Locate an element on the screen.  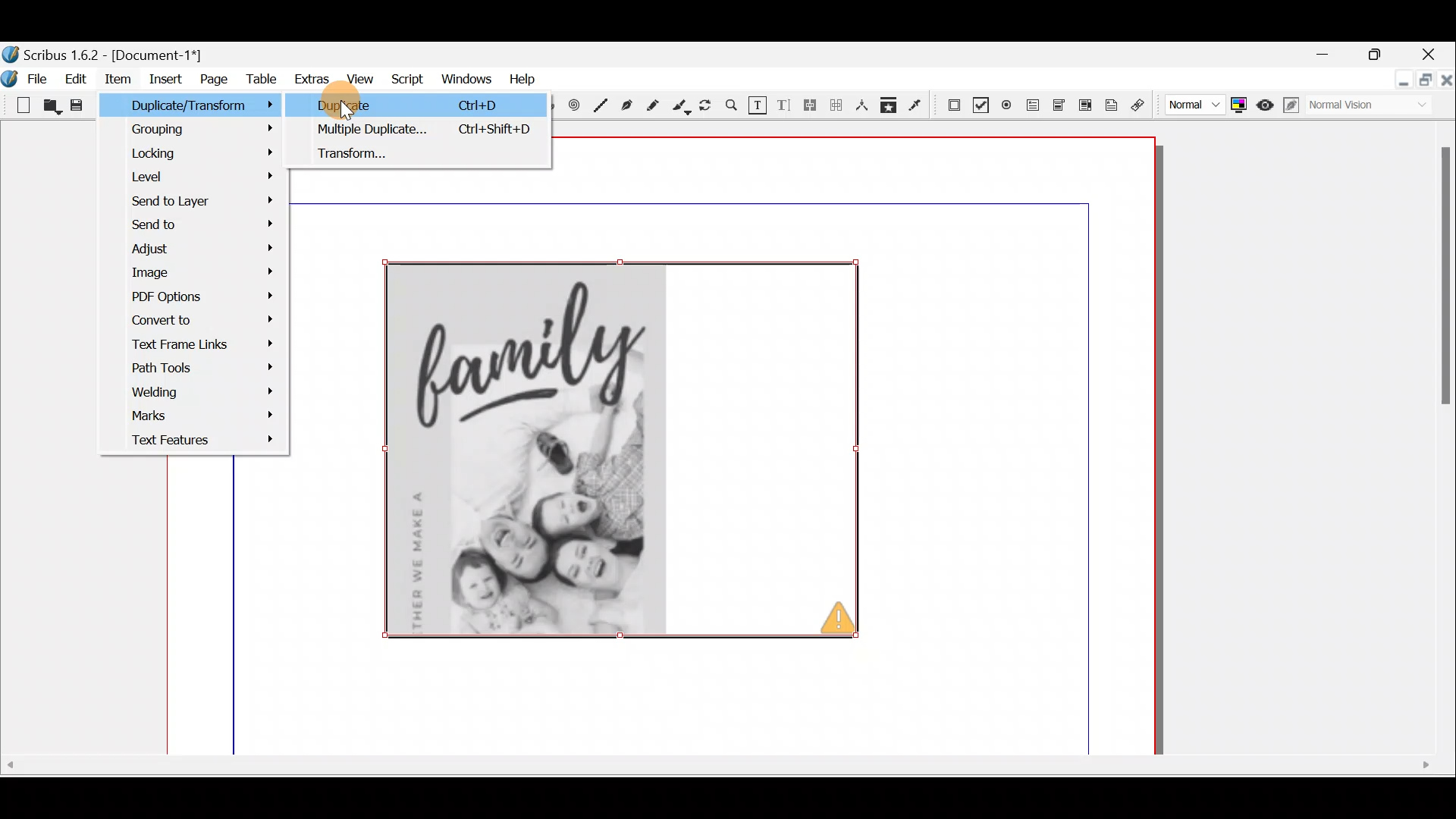
Visual appearance is located at coordinates (1367, 108).